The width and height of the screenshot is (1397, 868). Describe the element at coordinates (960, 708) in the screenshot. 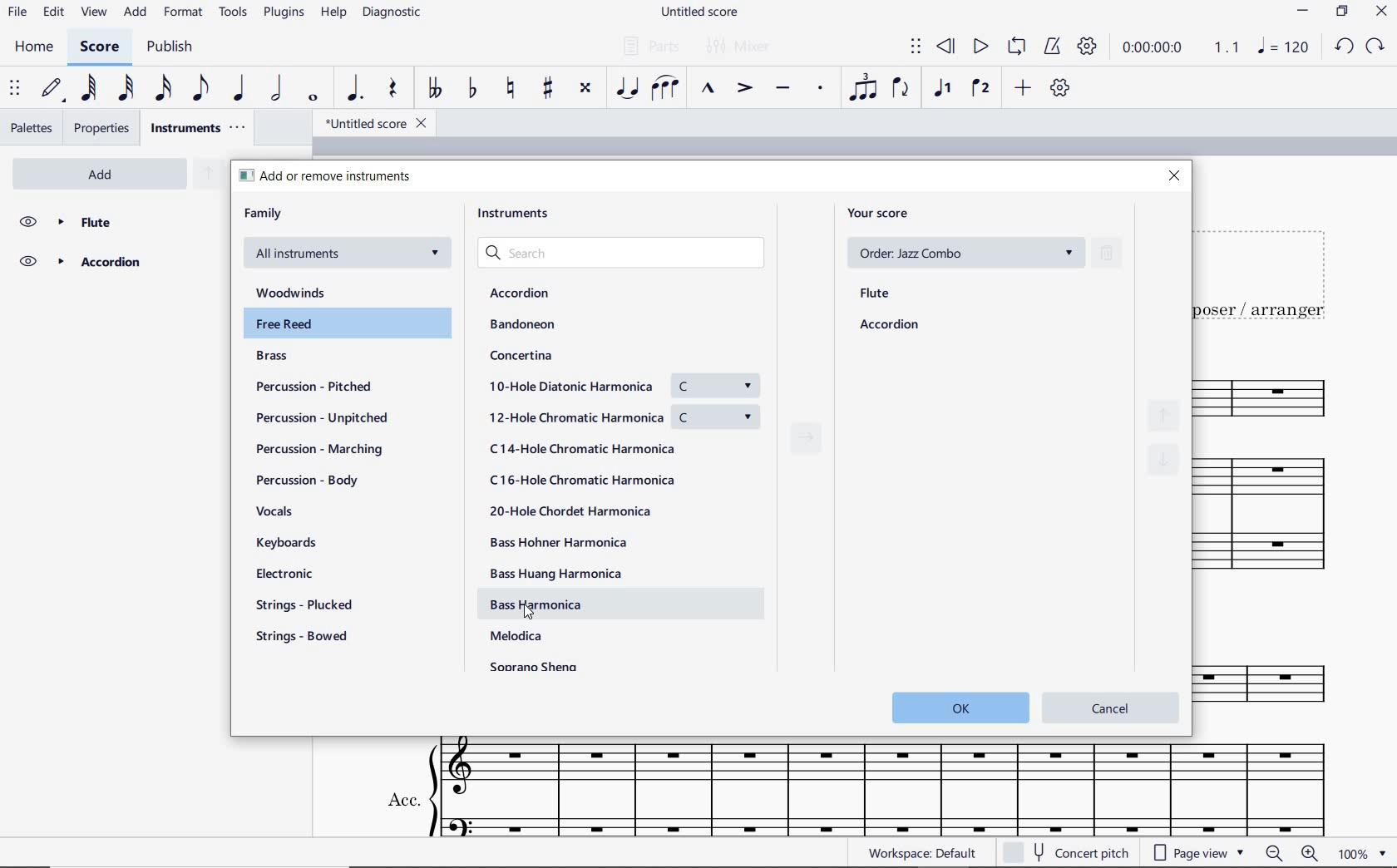

I see `ok` at that location.